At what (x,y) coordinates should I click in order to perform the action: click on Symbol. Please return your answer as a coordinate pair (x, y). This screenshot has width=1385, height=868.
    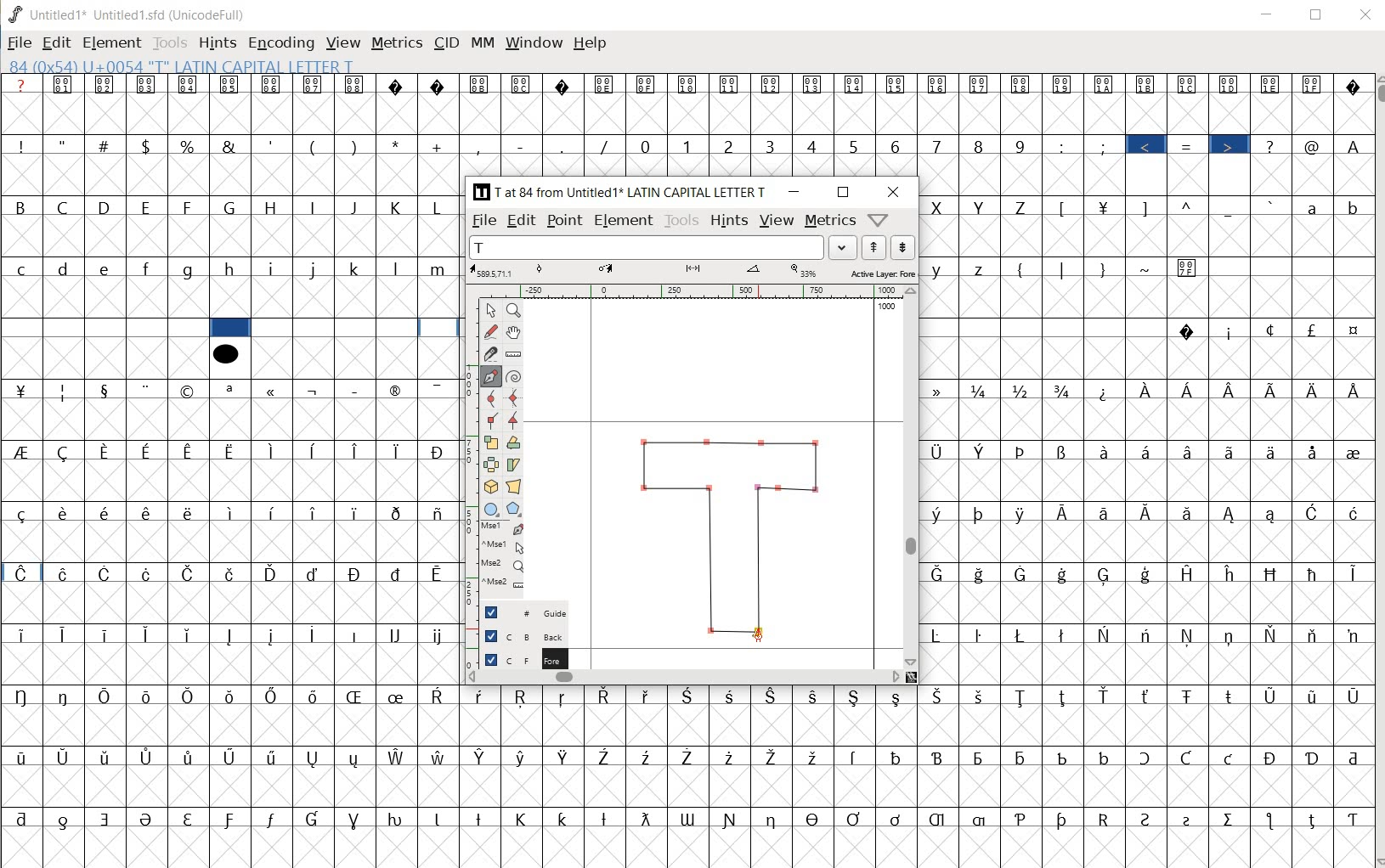
    Looking at the image, I should click on (1189, 451).